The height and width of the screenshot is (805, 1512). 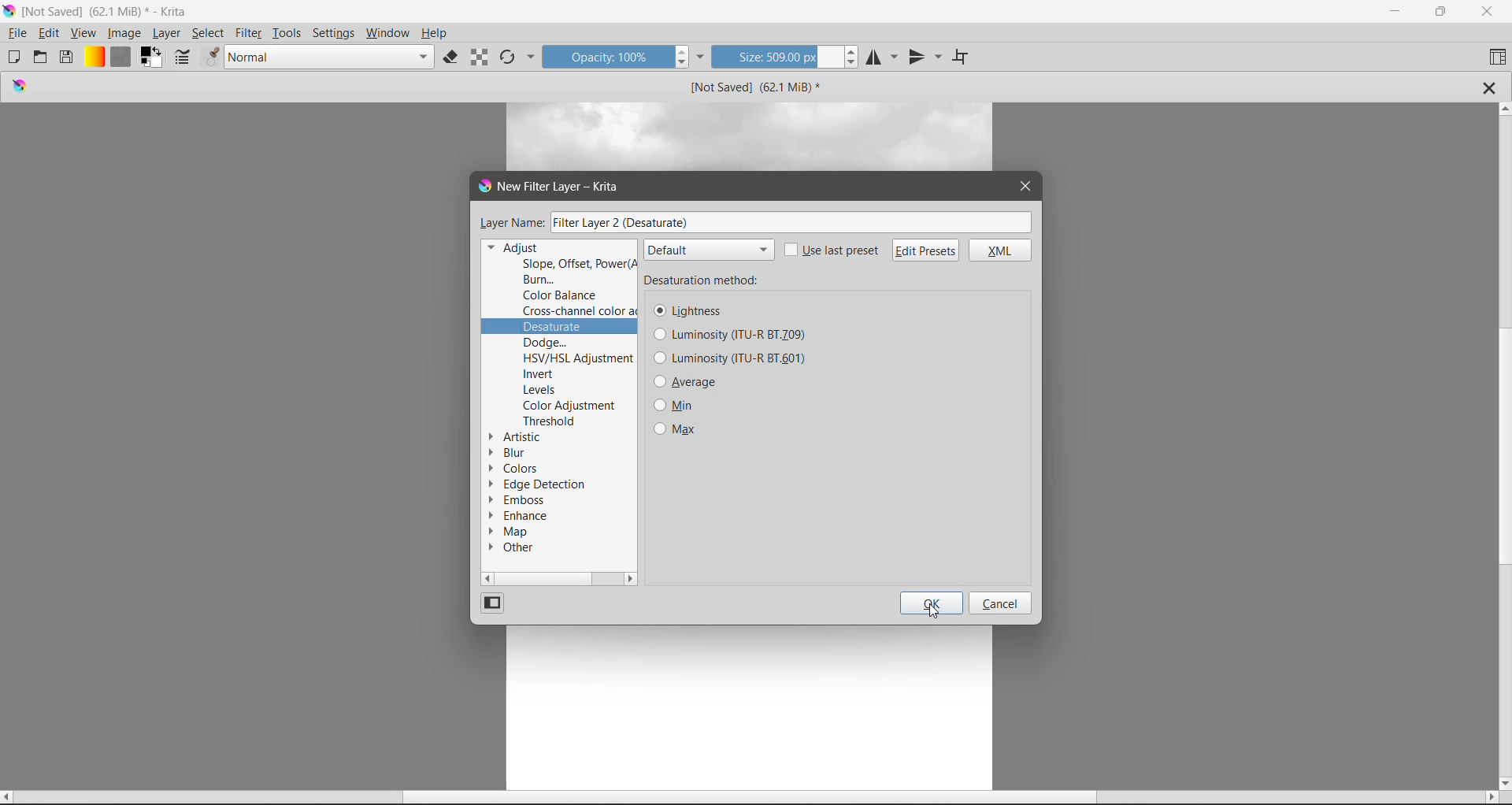 I want to click on Color Balance, so click(x=569, y=297).